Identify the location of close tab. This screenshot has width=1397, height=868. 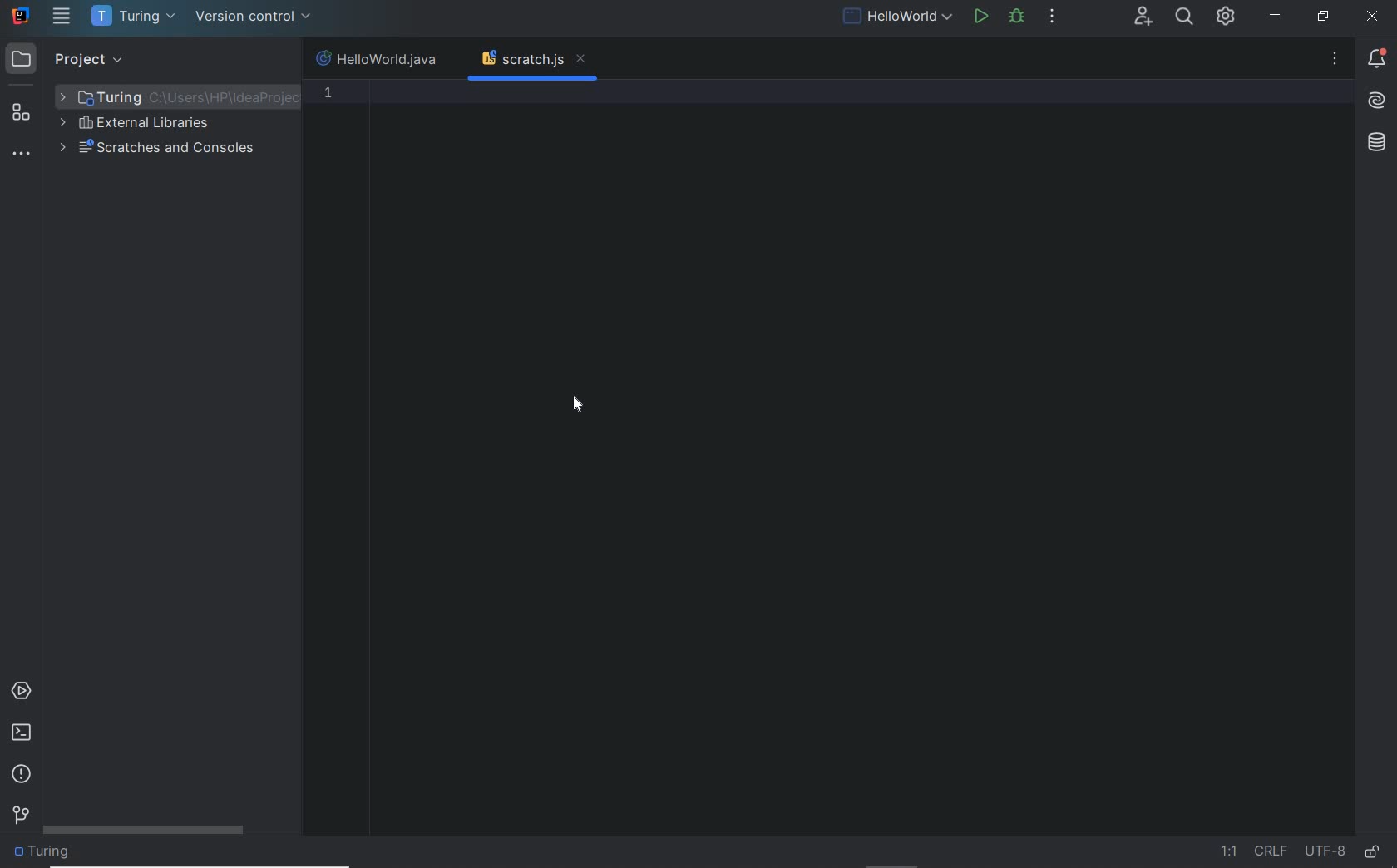
(580, 60).